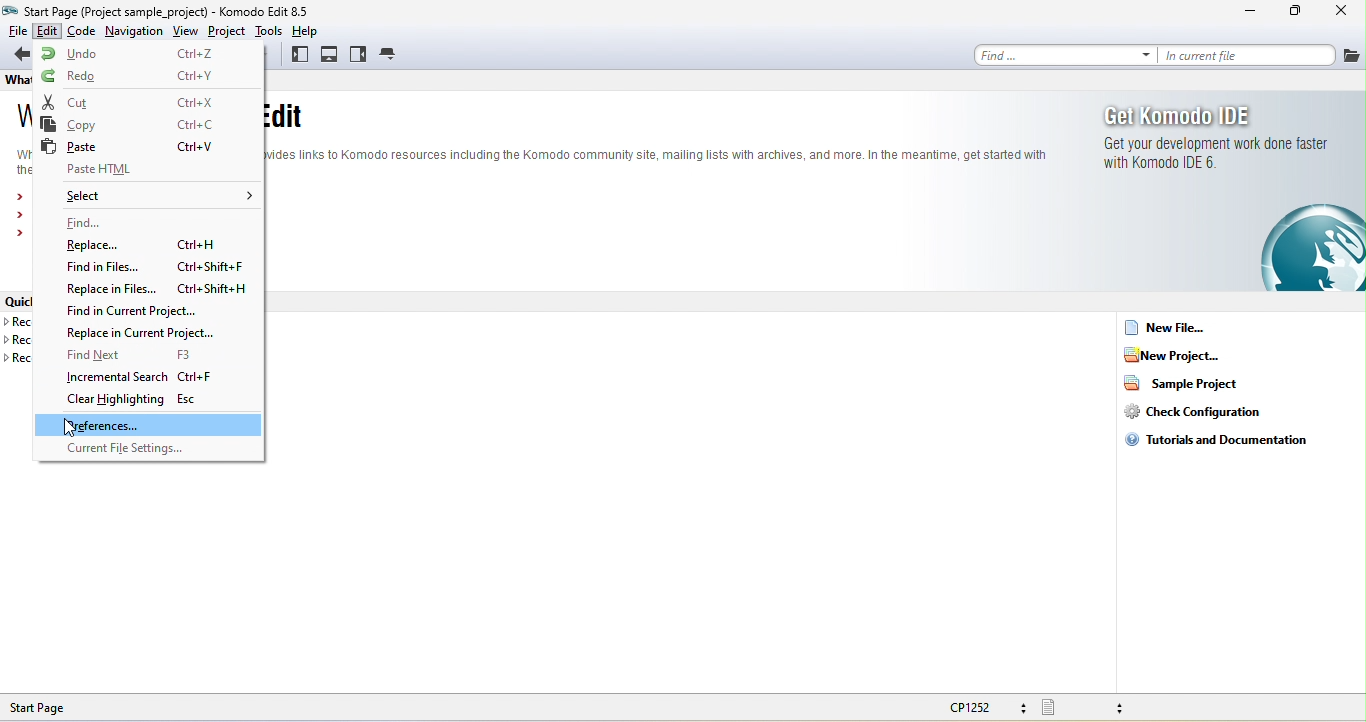  Describe the element at coordinates (20, 301) in the screenshot. I see `quick links` at that location.